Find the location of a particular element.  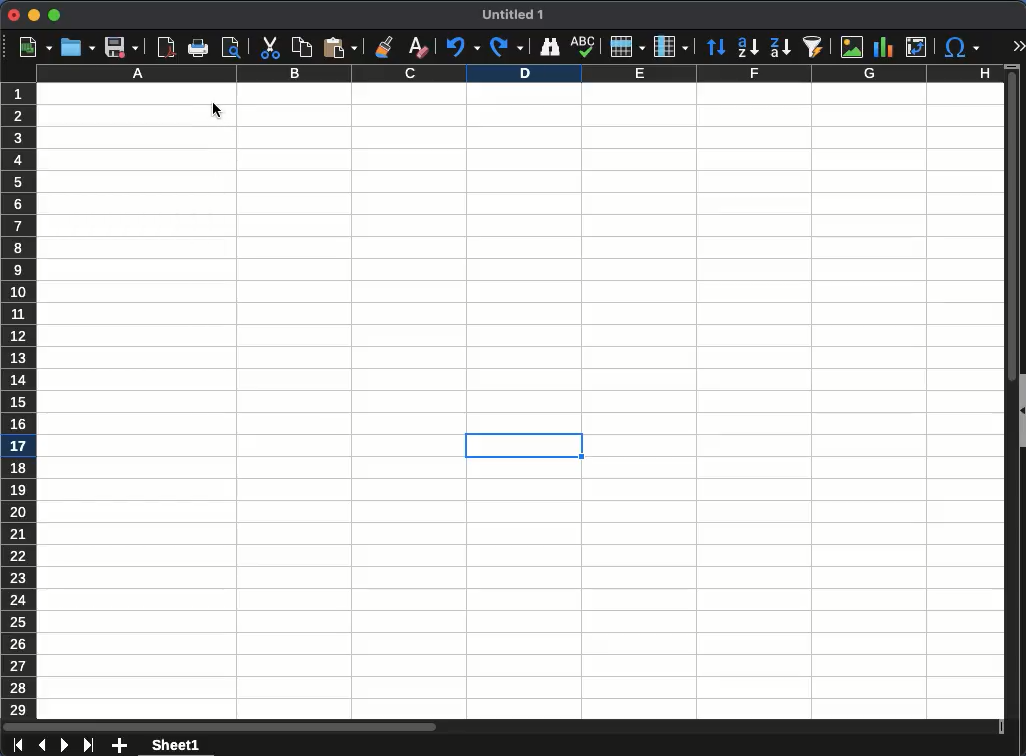

scroll is located at coordinates (1005, 403).